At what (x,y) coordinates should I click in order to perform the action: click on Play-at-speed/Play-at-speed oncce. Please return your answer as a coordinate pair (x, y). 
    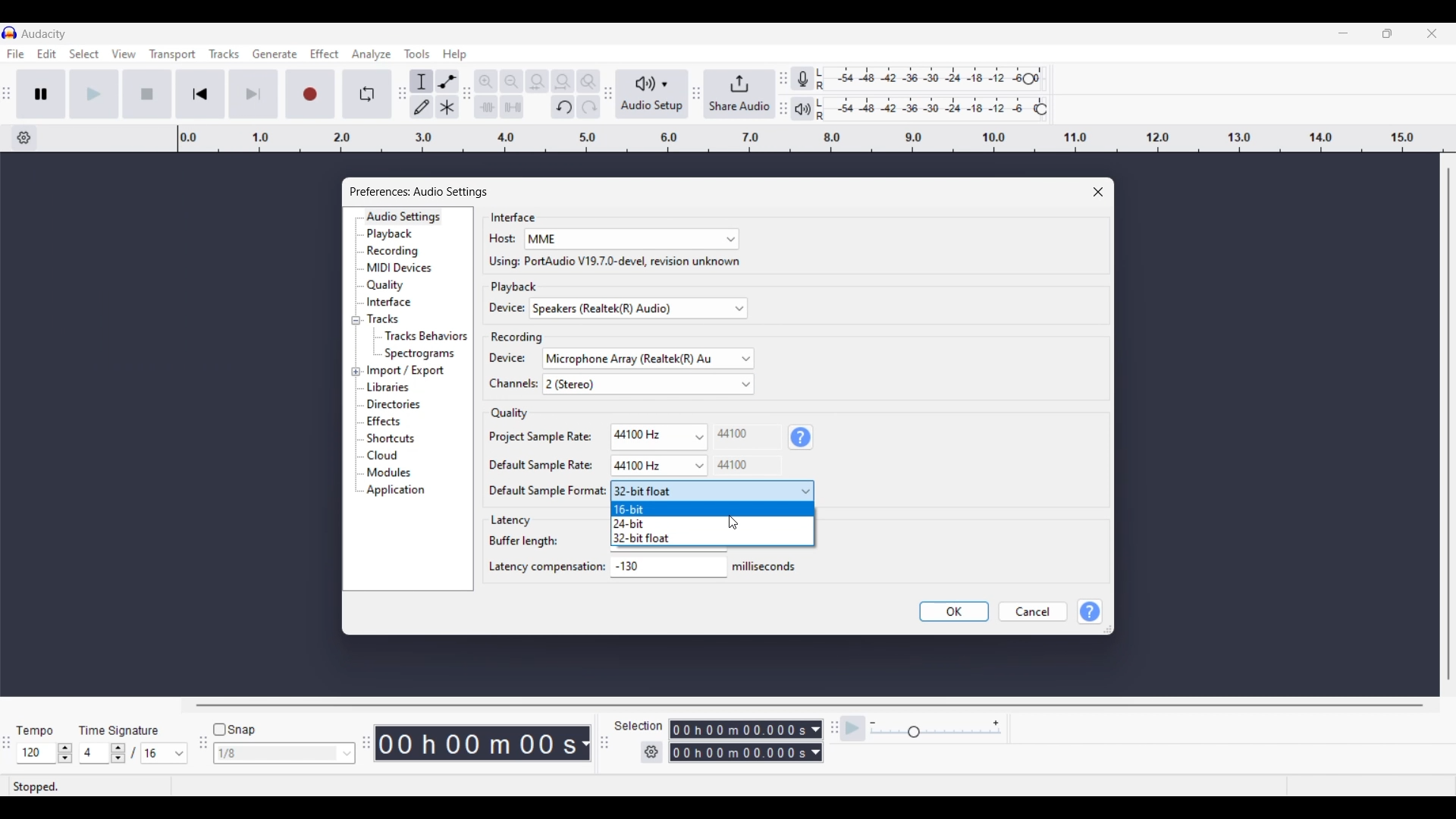
    Looking at the image, I should click on (853, 729).